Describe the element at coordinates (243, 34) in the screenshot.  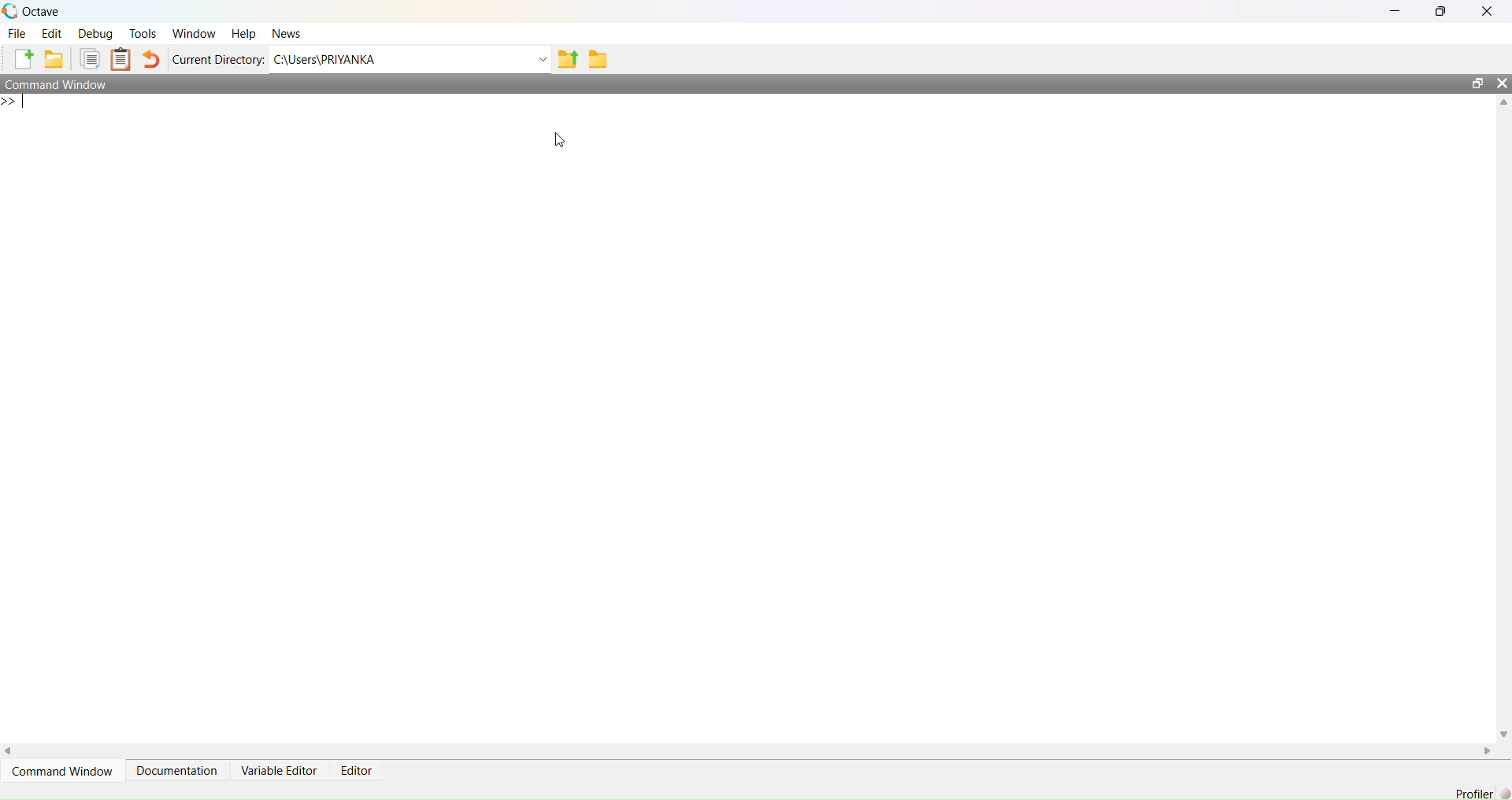
I see `Help` at that location.